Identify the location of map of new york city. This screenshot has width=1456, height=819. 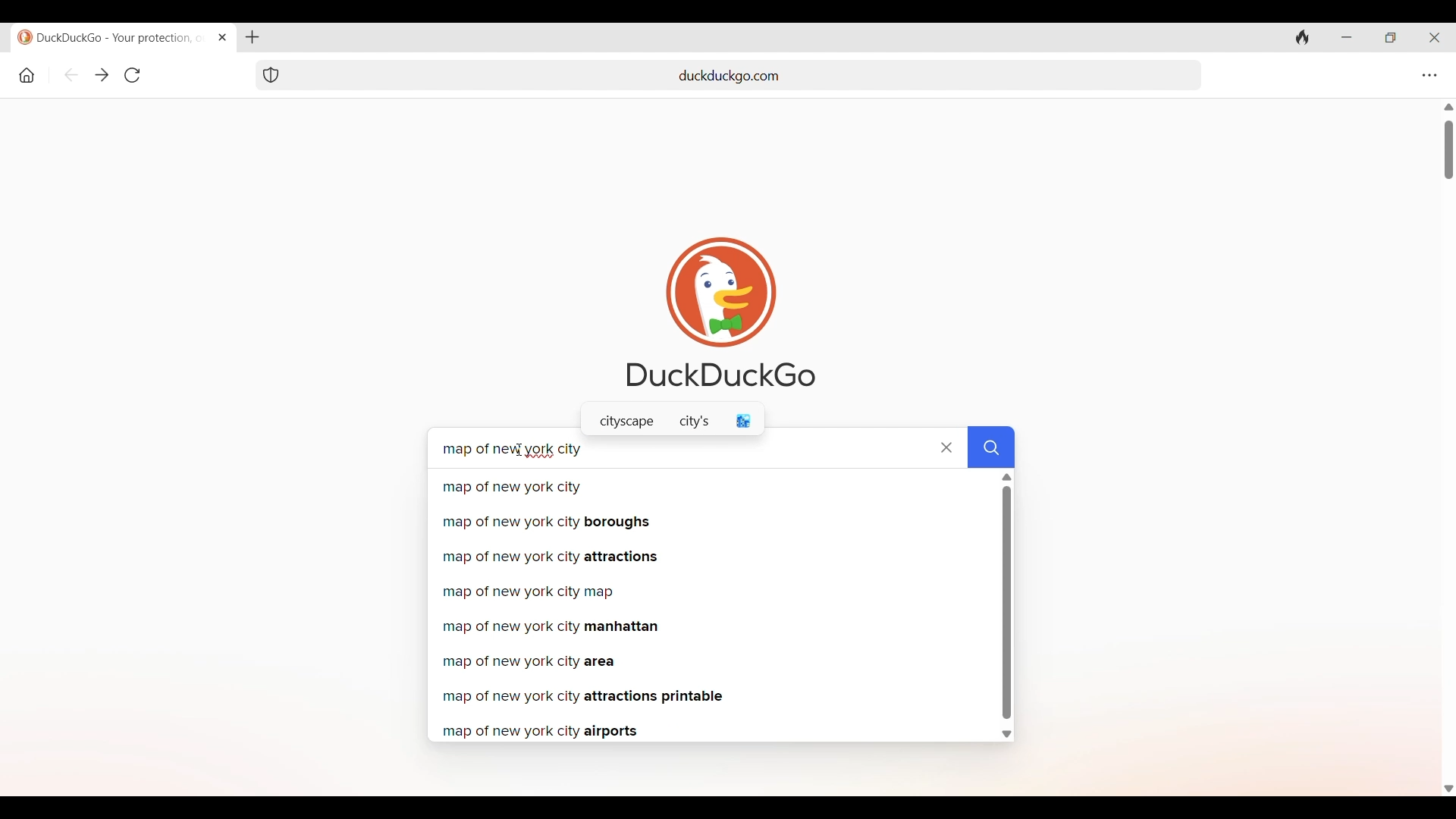
(711, 488).